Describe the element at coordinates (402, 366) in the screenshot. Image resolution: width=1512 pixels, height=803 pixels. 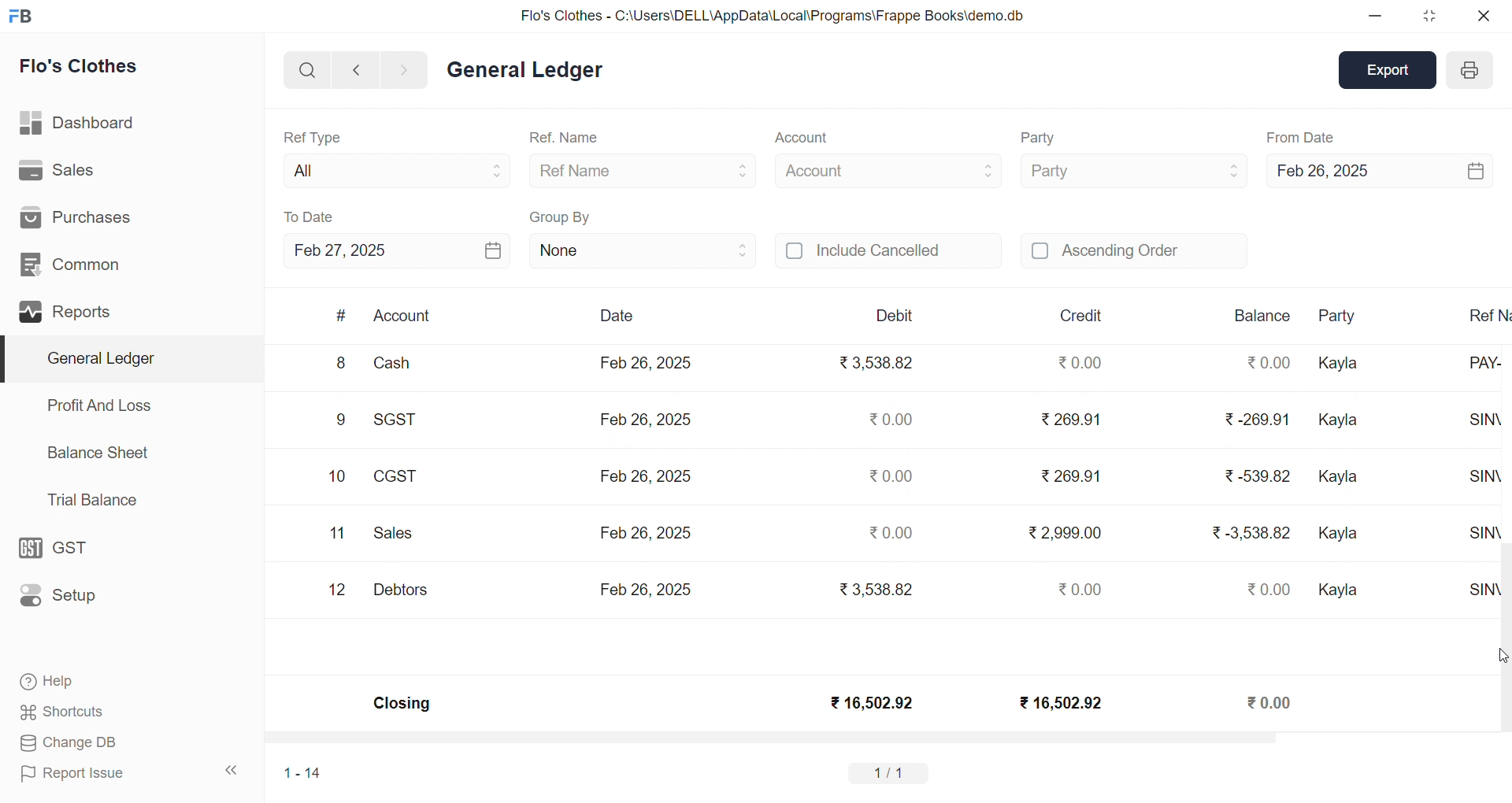
I see `Cash` at that location.